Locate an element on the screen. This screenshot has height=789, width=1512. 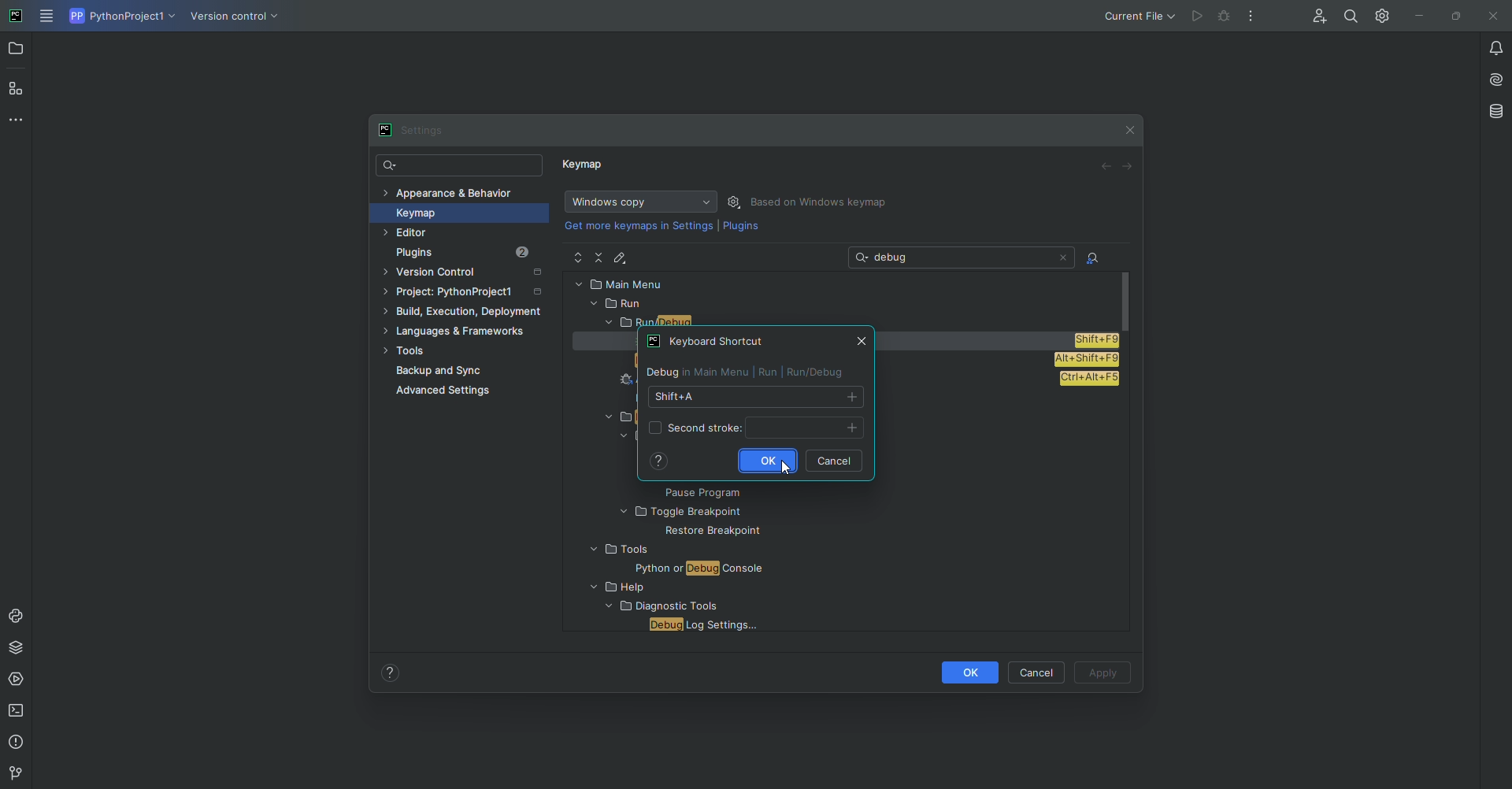
Cursor is located at coordinates (787, 469).